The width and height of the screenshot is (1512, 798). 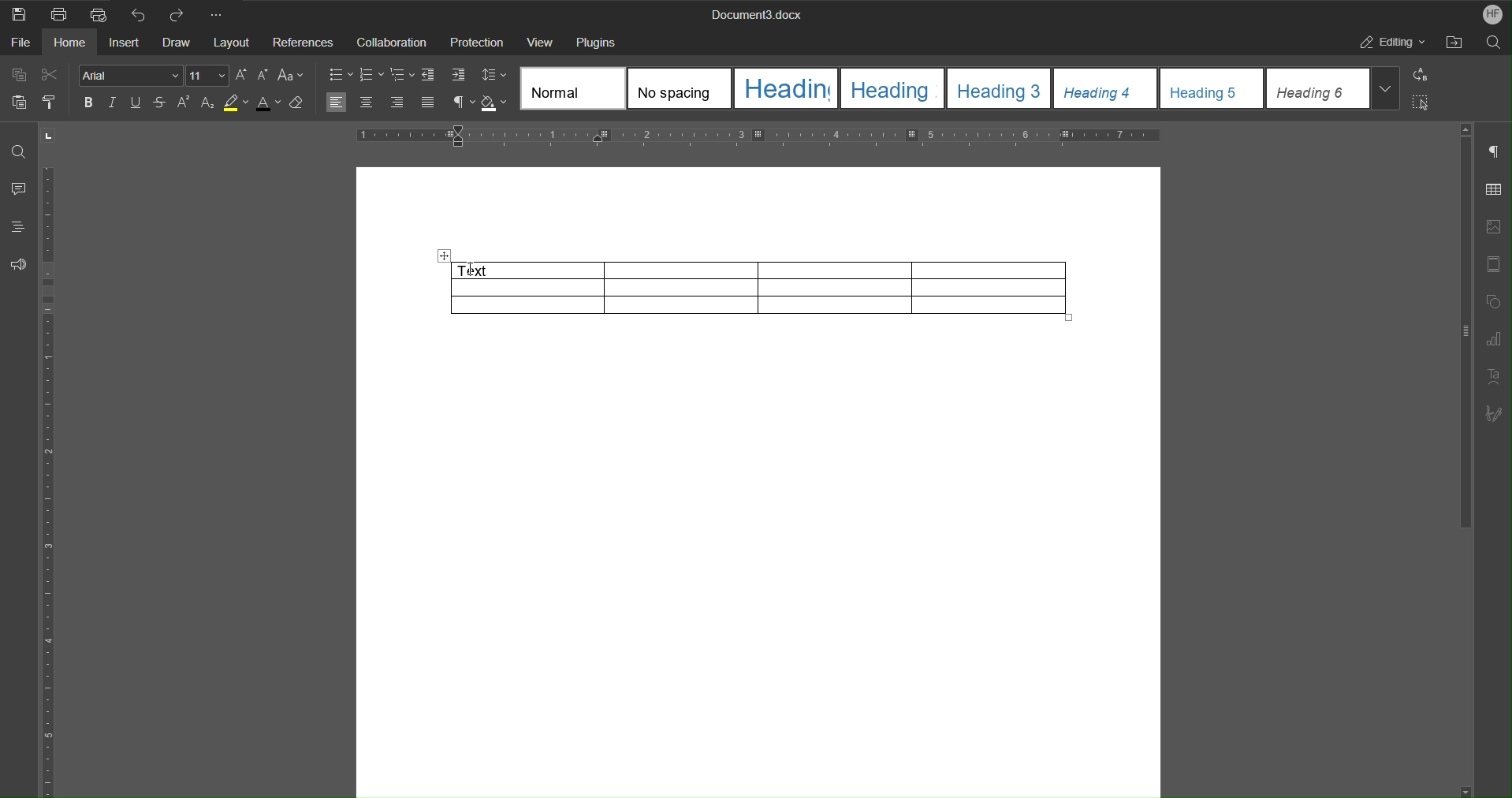 What do you see at coordinates (1489, 13) in the screenshot?
I see `Account` at bounding box center [1489, 13].